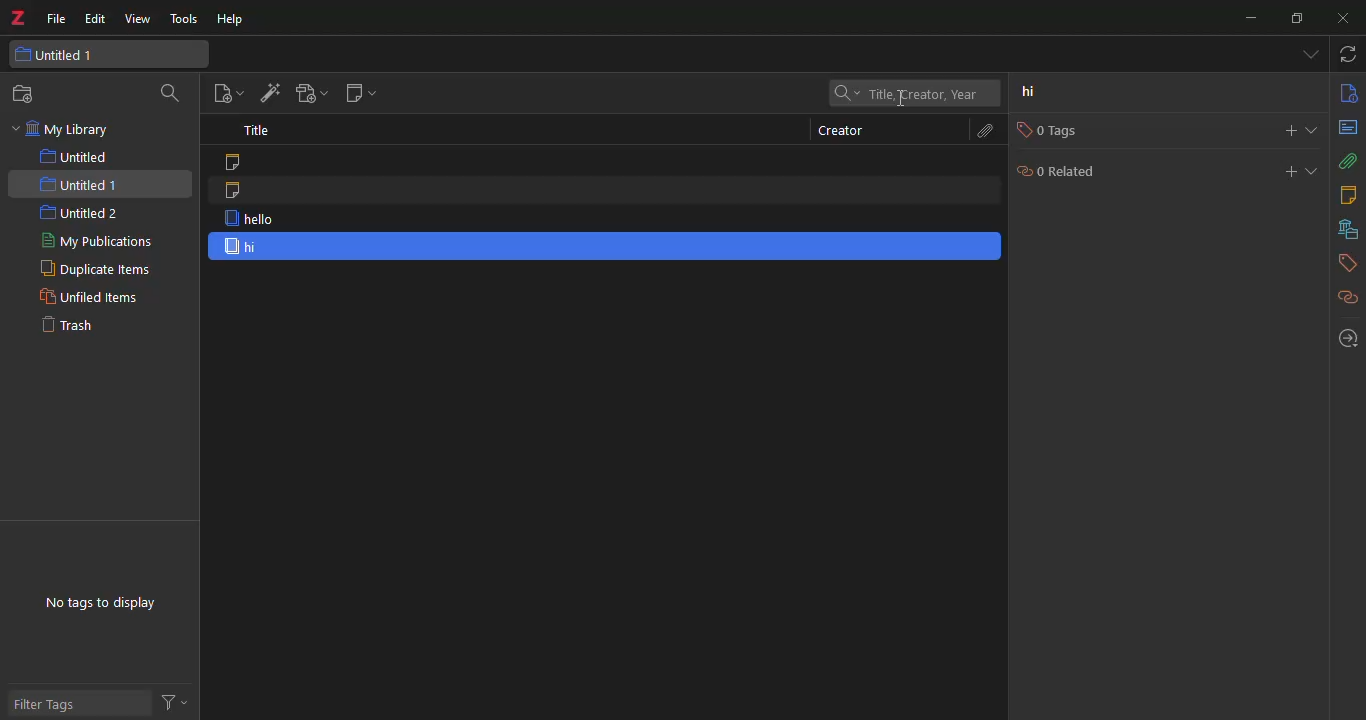  What do you see at coordinates (984, 130) in the screenshot?
I see `attach` at bounding box center [984, 130].